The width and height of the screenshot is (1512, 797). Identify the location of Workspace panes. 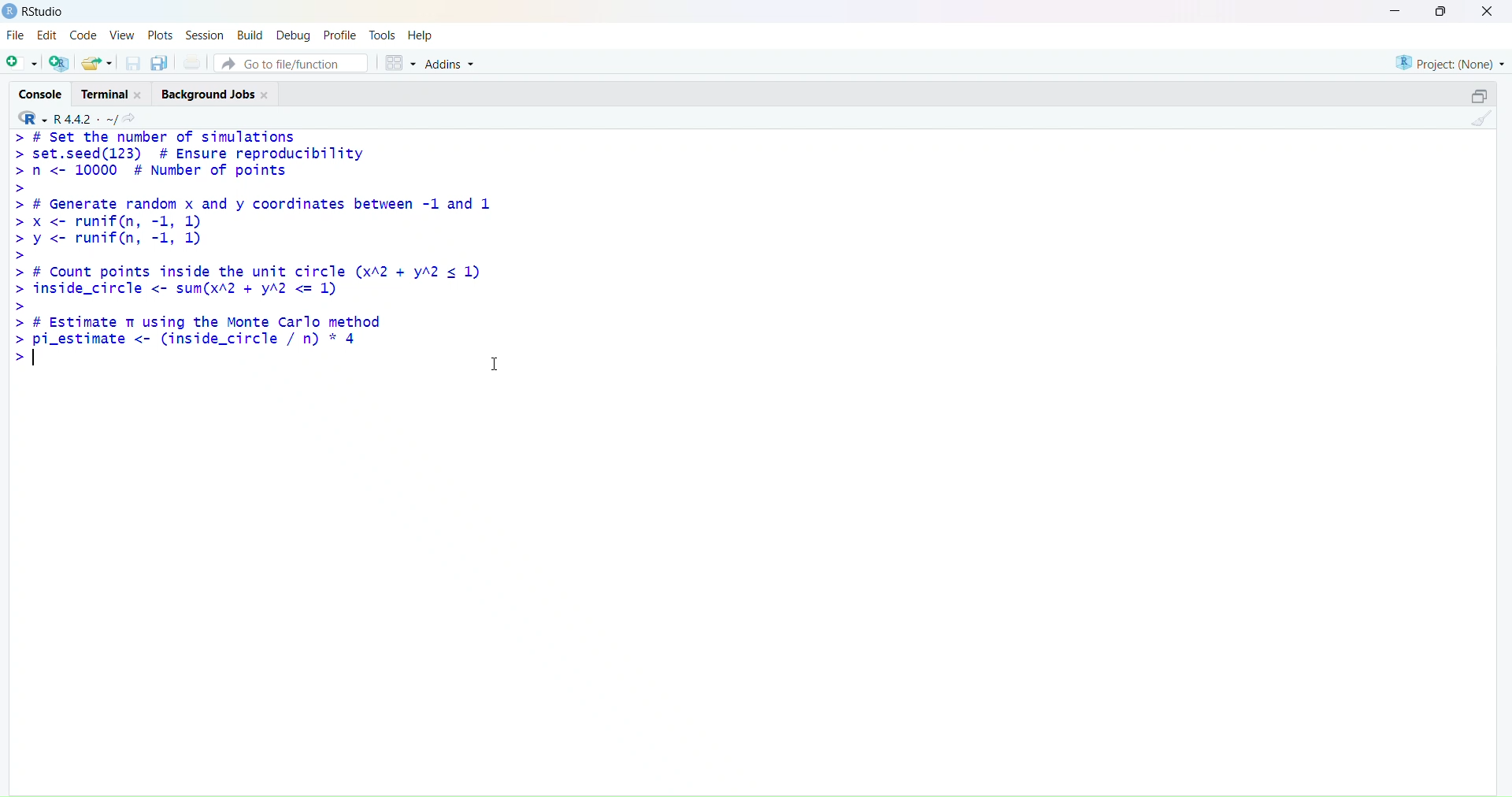
(402, 63).